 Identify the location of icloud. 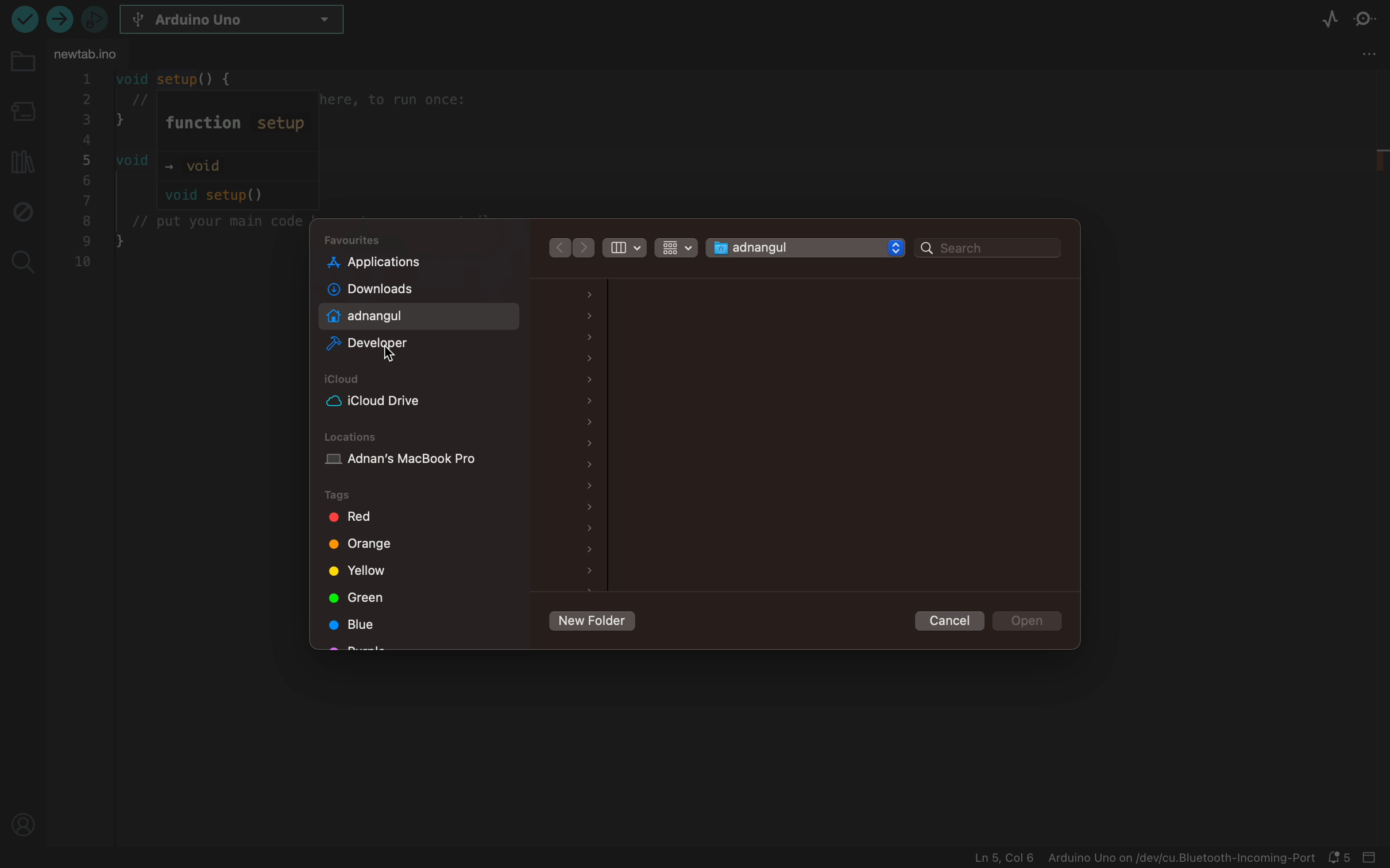
(347, 379).